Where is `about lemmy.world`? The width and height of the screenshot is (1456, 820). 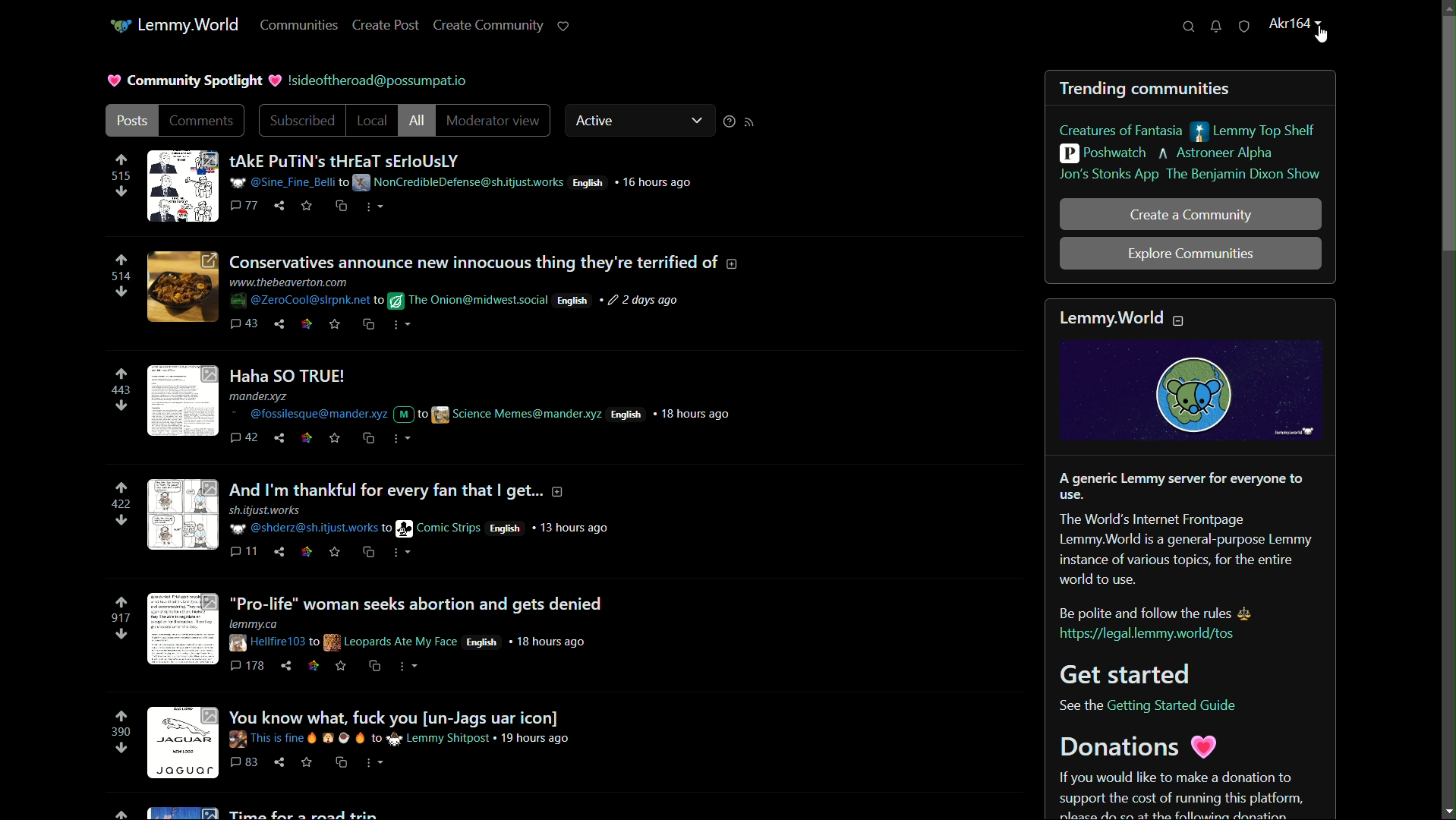
about lemmy.world is located at coordinates (1189, 559).